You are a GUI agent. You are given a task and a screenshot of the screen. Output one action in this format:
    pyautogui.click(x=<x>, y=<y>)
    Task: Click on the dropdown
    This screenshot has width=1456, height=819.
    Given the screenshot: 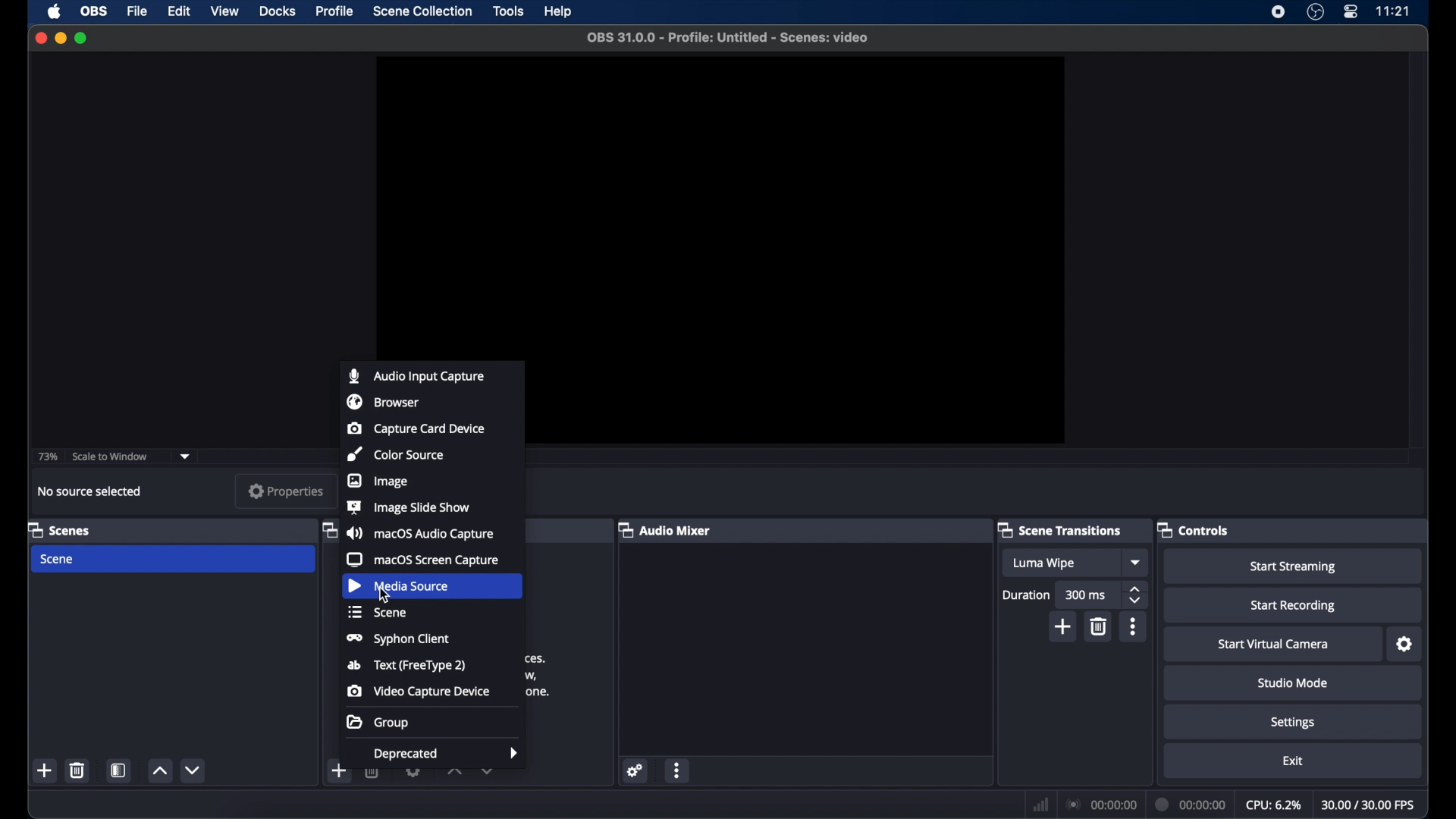 What is the action you would take?
    pyautogui.click(x=488, y=770)
    